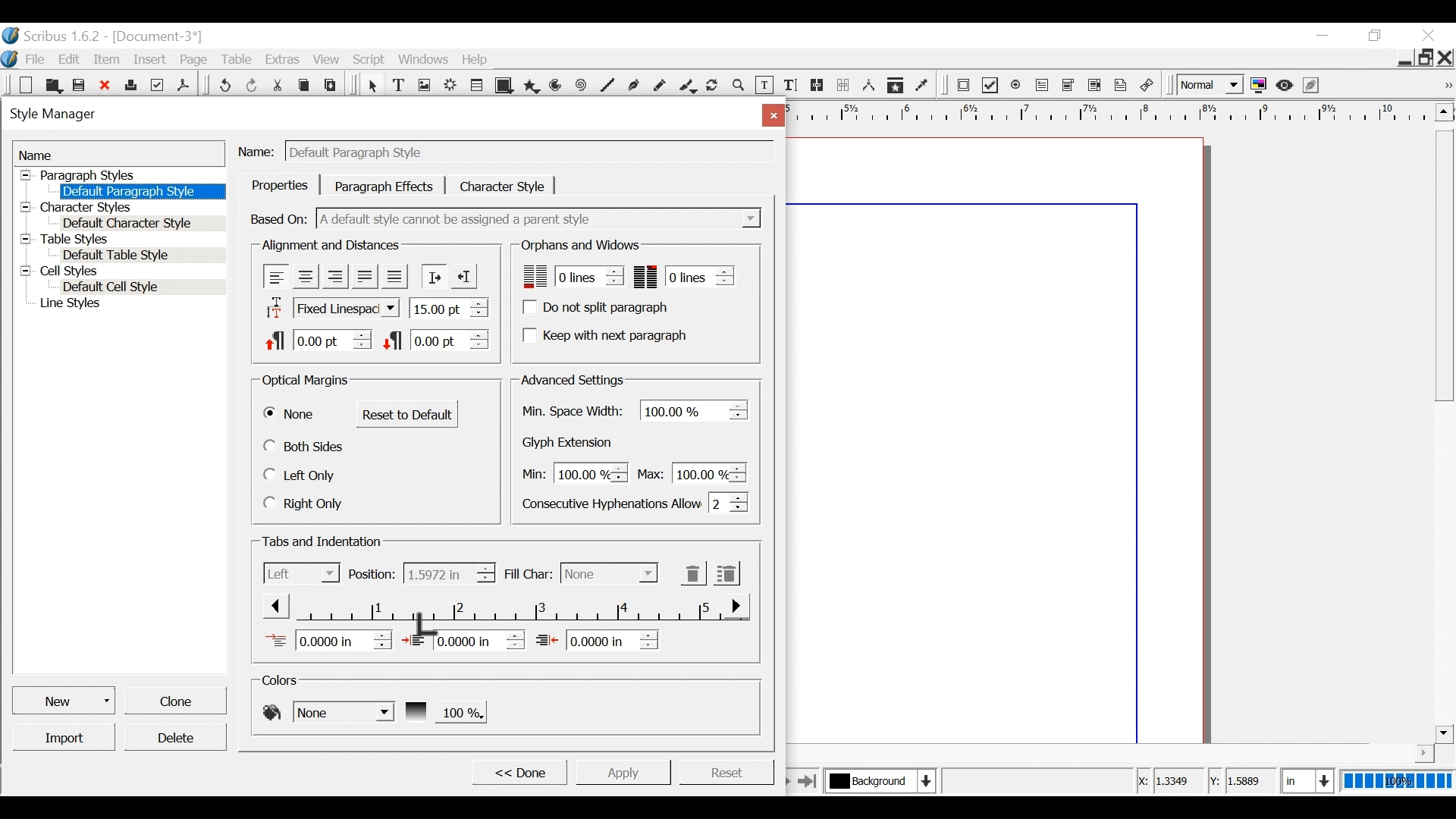 This screenshot has height=819, width=1456. Describe the element at coordinates (280, 185) in the screenshot. I see `Properties` at that location.